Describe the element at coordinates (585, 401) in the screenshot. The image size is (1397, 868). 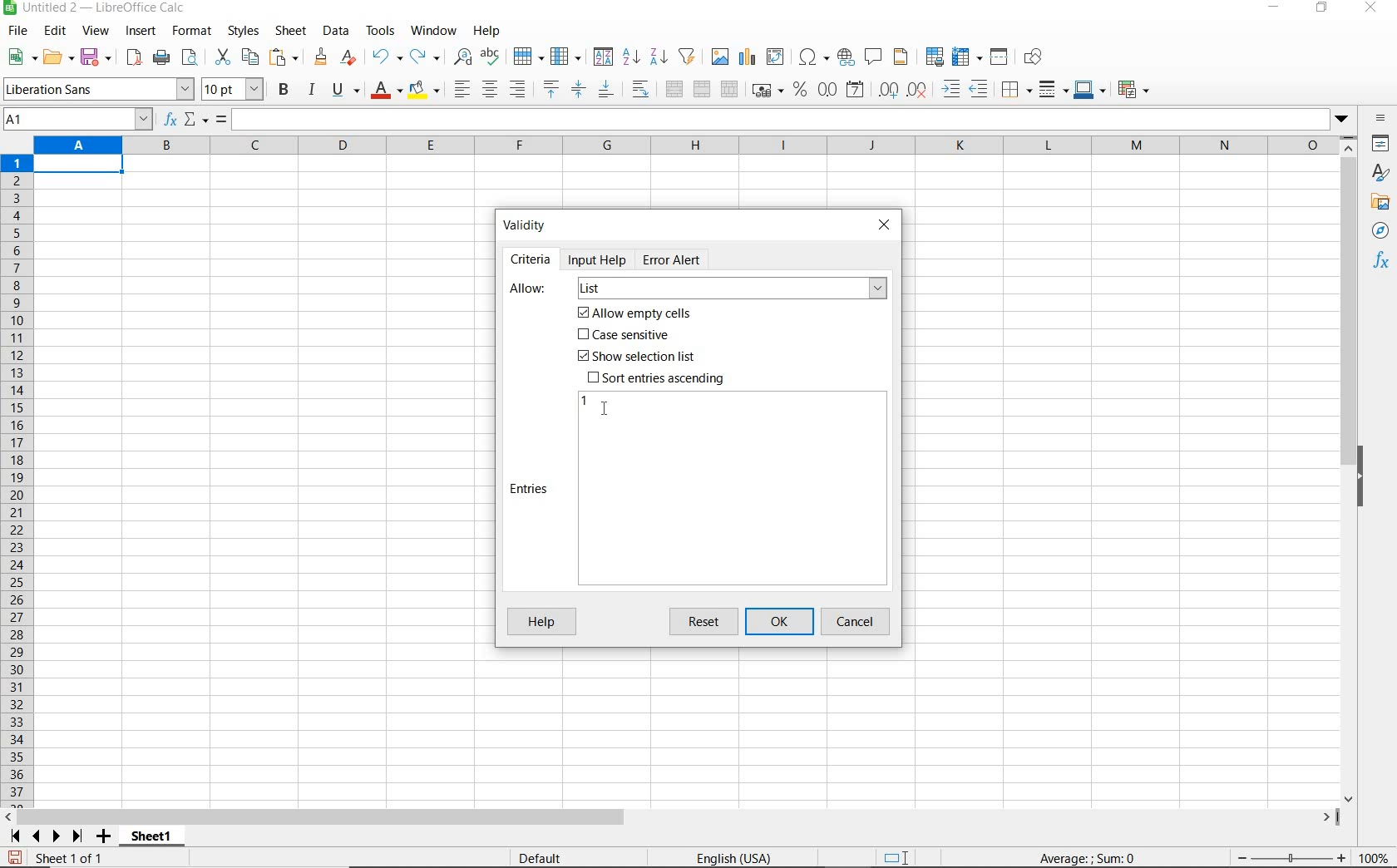
I see `number 1` at that location.